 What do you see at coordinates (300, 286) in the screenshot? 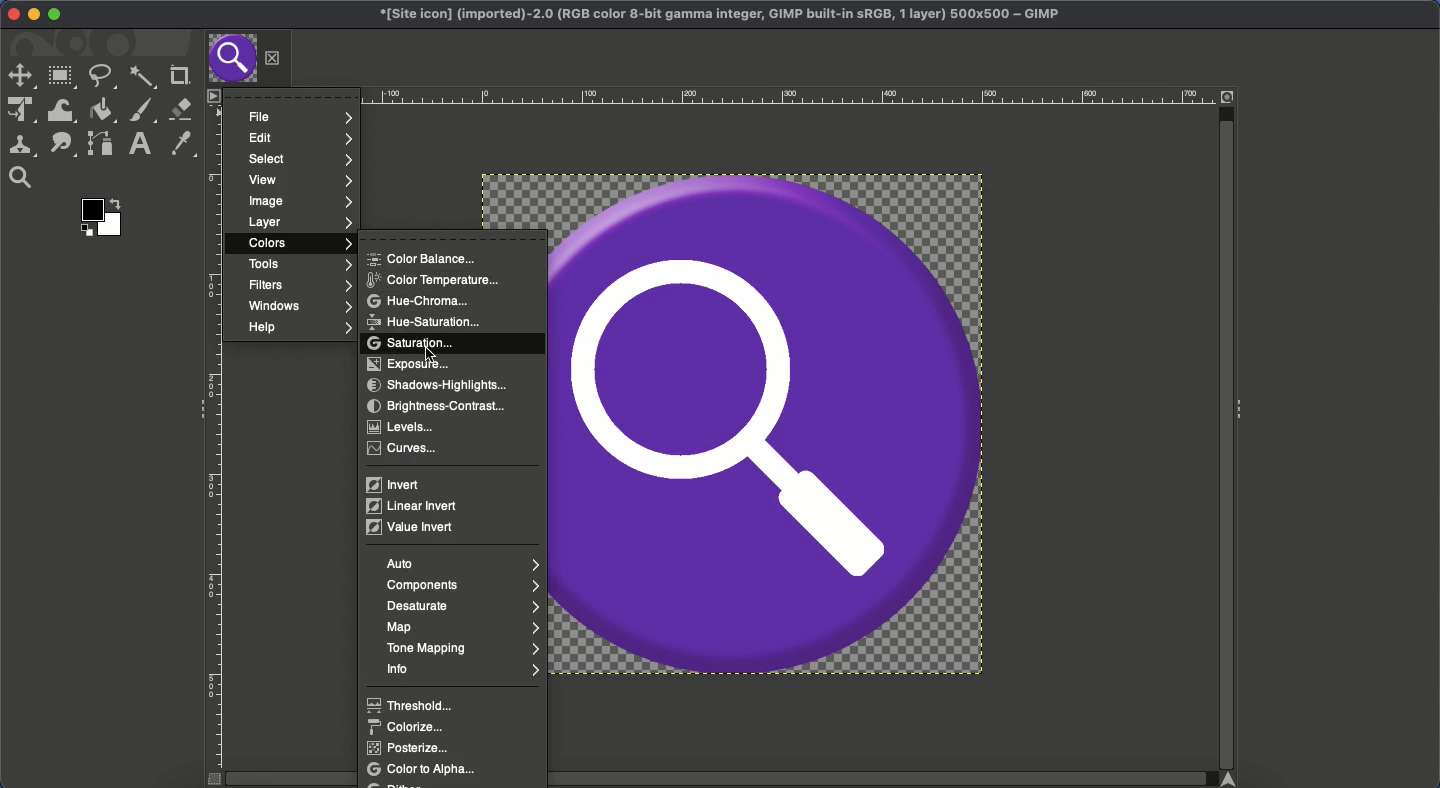
I see `Filters` at bounding box center [300, 286].